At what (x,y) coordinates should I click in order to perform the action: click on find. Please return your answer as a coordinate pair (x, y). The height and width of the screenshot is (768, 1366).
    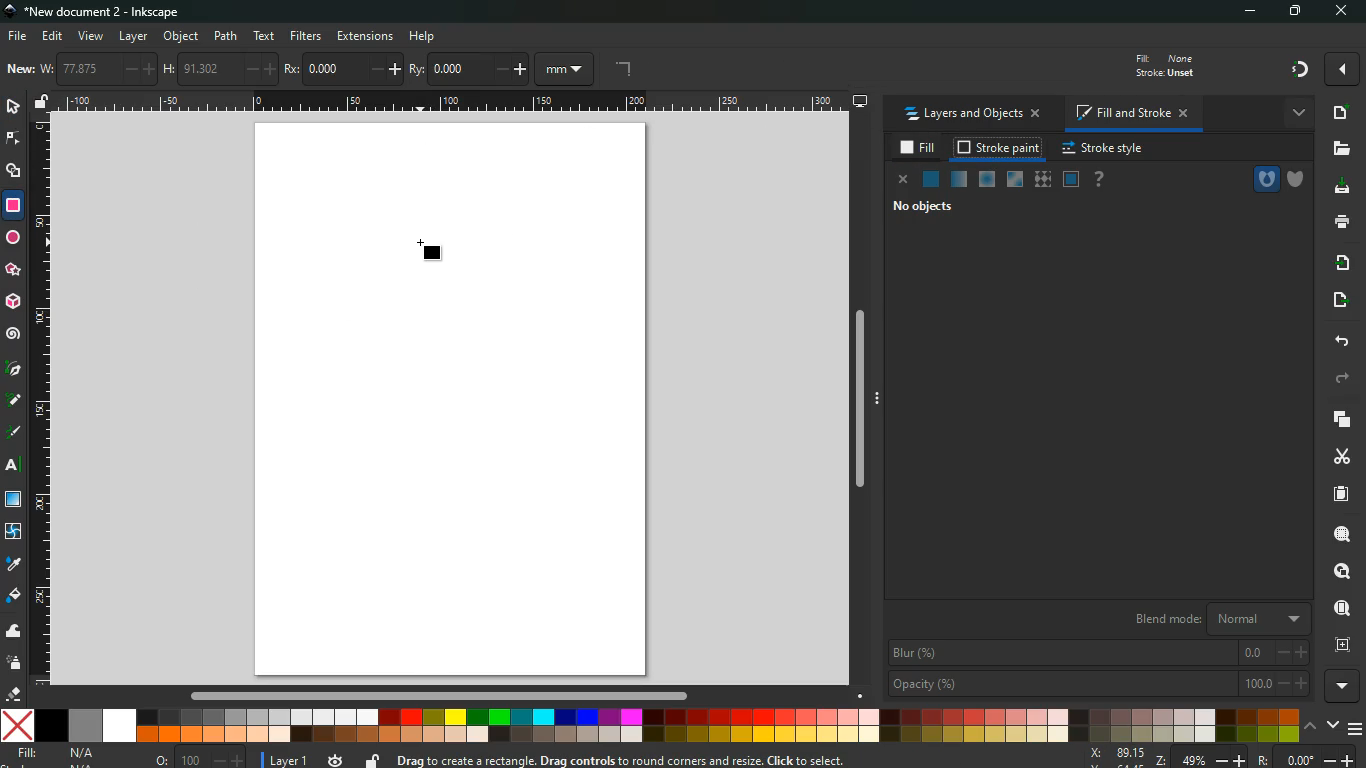
    Looking at the image, I should click on (1338, 607).